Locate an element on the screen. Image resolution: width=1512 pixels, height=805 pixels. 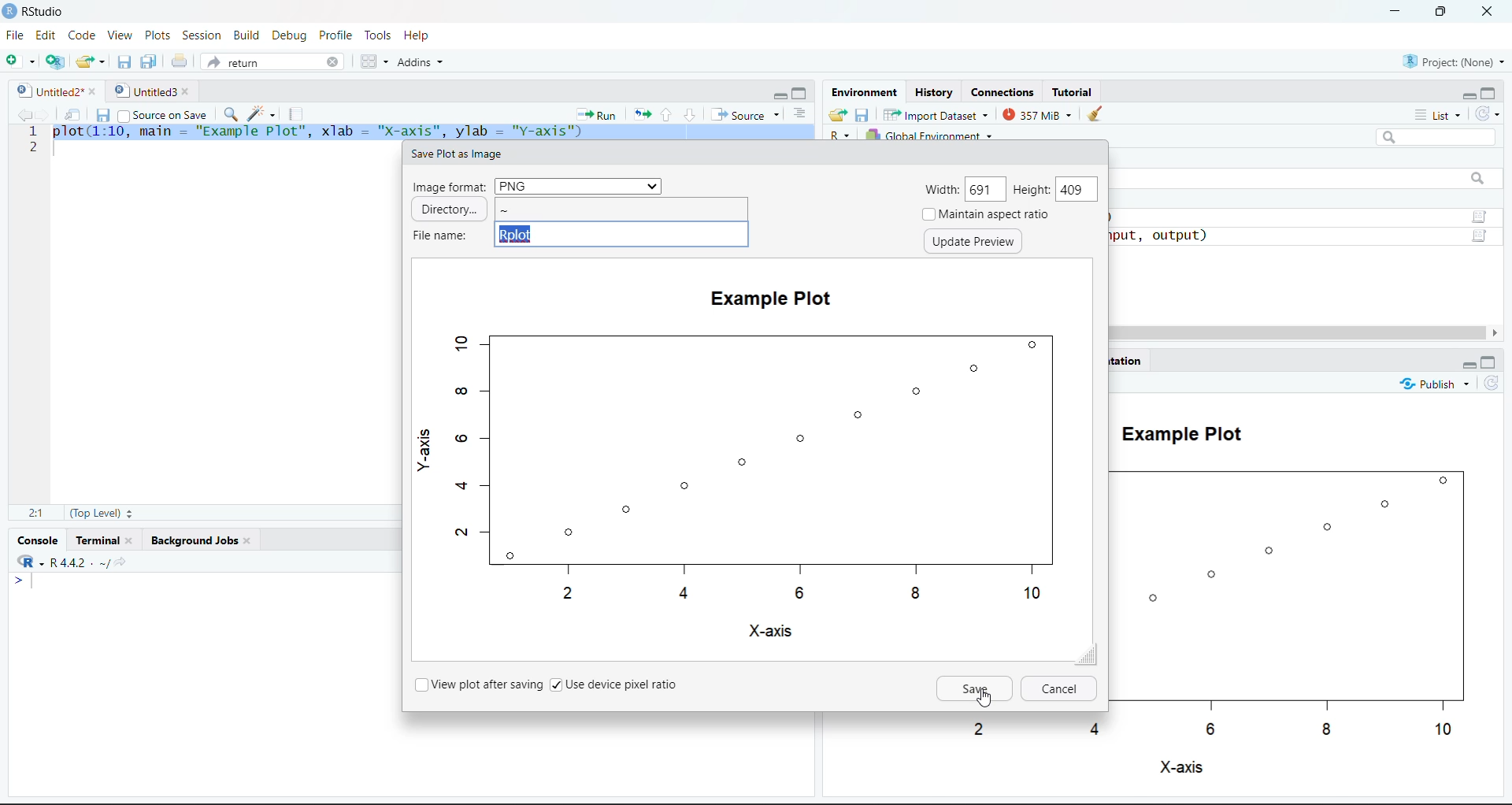
View plot after saving is located at coordinates (478, 684).